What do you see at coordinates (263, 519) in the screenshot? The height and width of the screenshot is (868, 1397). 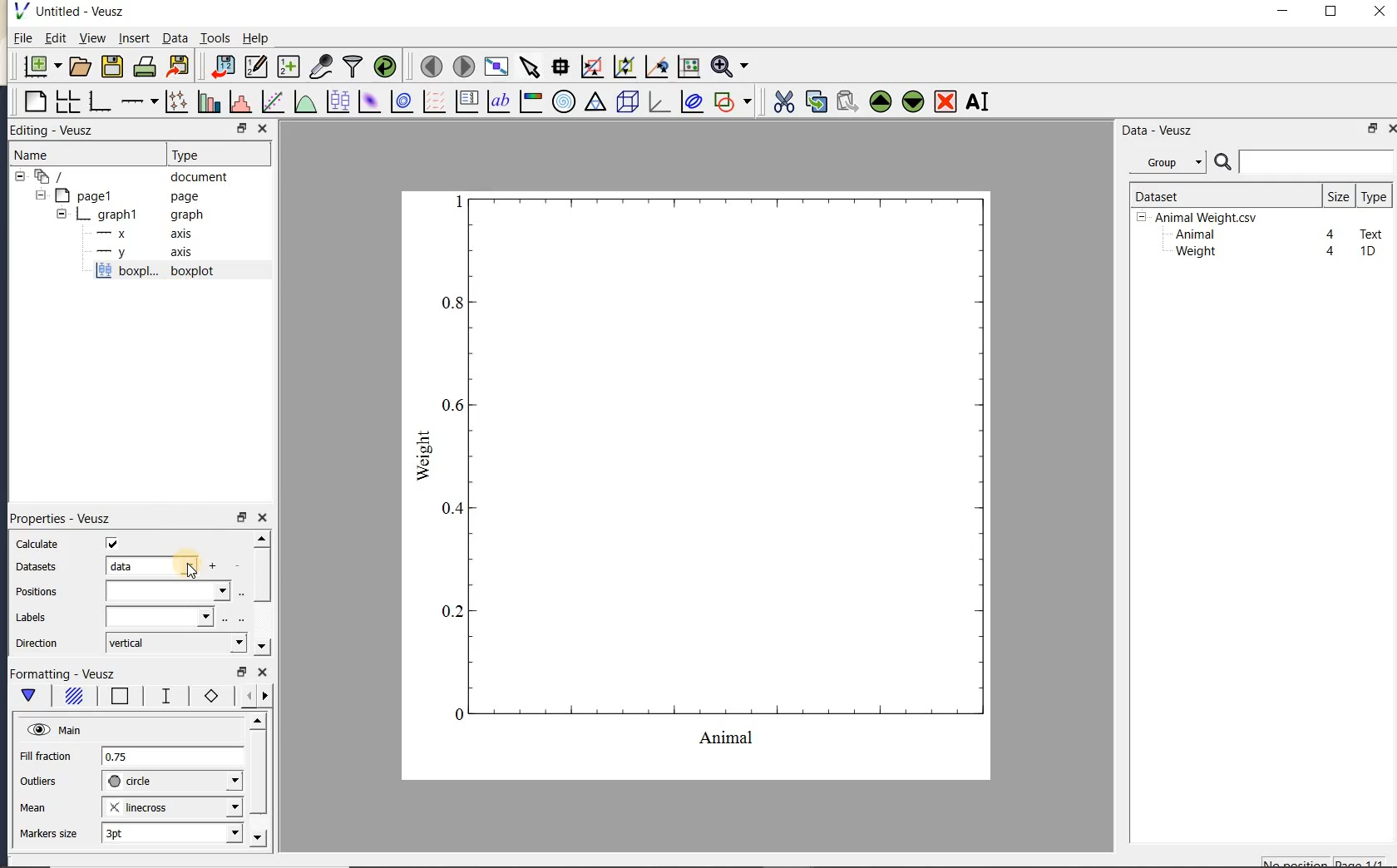 I see `close` at bounding box center [263, 519].